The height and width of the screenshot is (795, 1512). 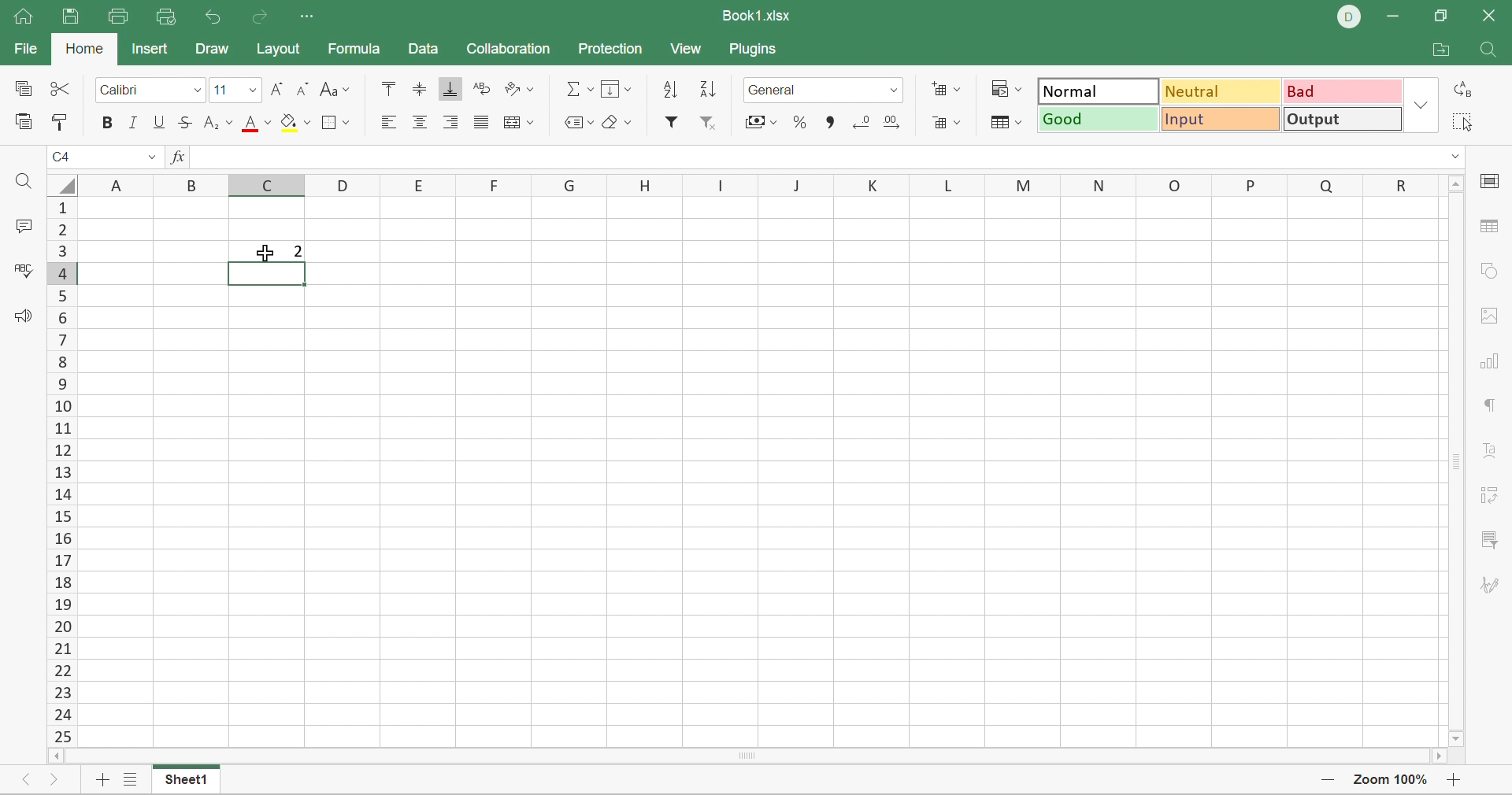 What do you see at coordinates (311, 18) in the screenshot?
I see `Customize quick access toolbar` at bounding box center [311, 18].